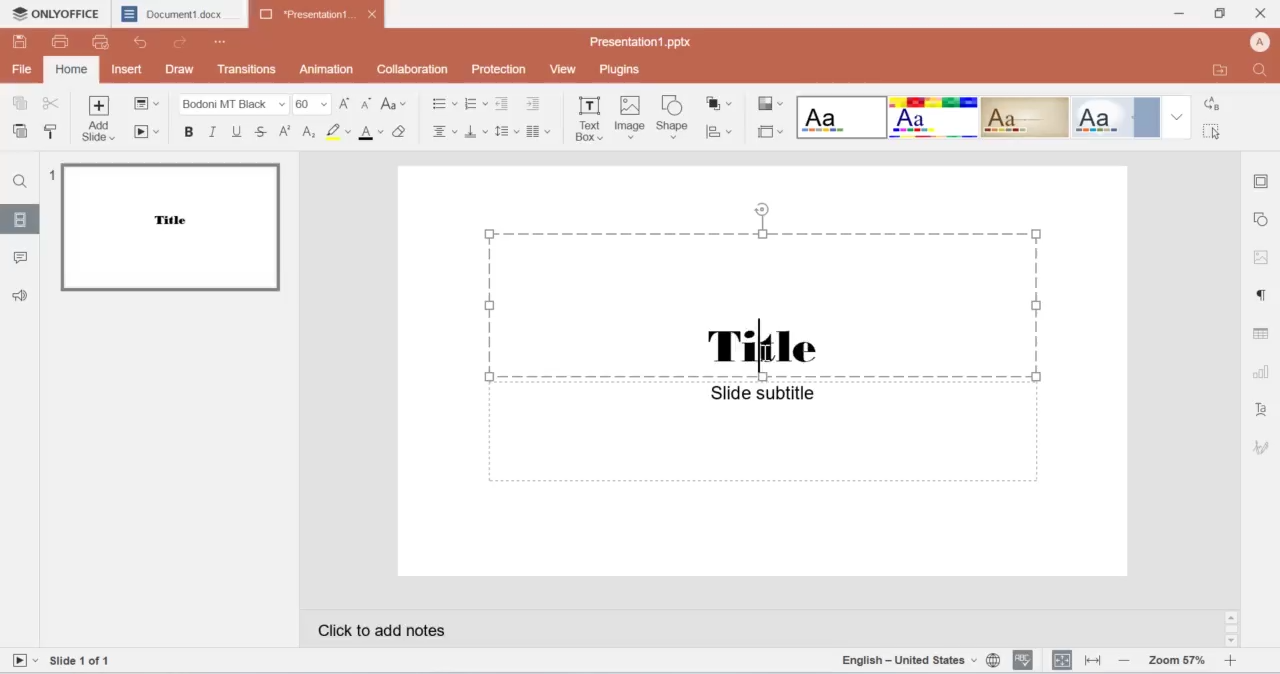 Image resolution: width=1280 pixels, height=674 pixels. Describe the element at coordinates (1232, 629) in the screenshot. I see `scroll bar` at that location.